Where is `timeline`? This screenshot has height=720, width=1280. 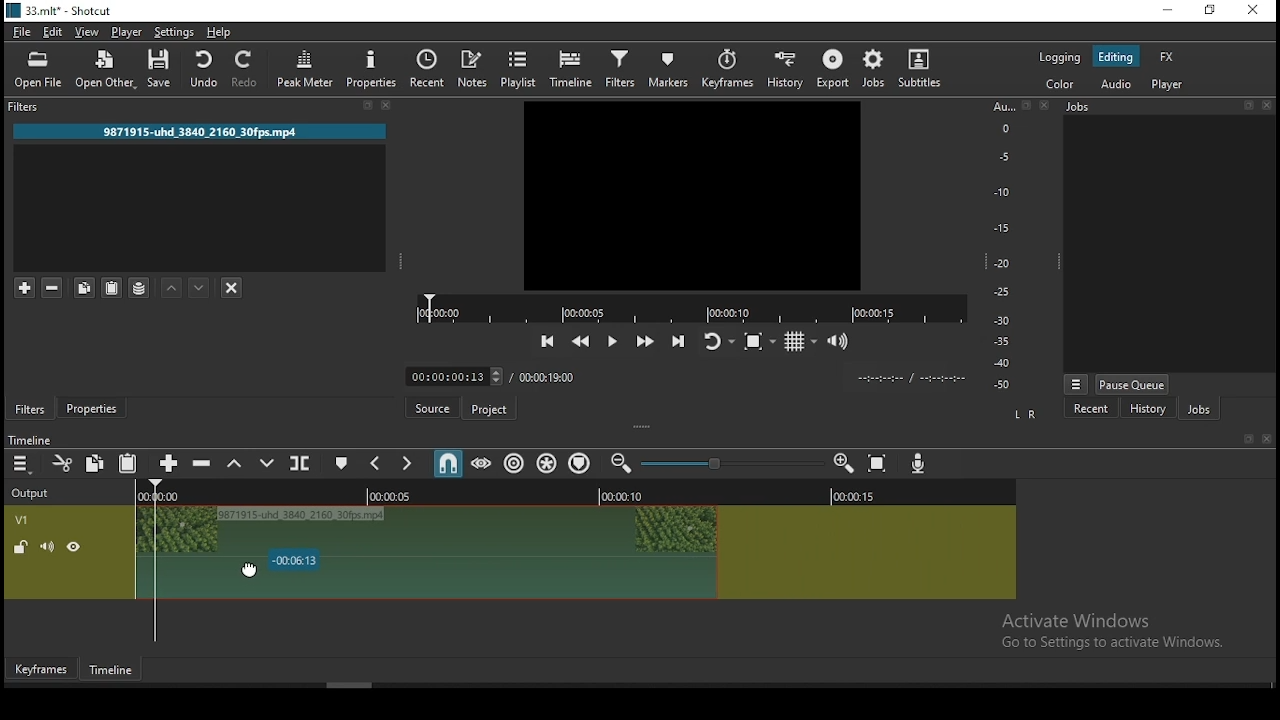 timeline is located at coordinates (571, 67).